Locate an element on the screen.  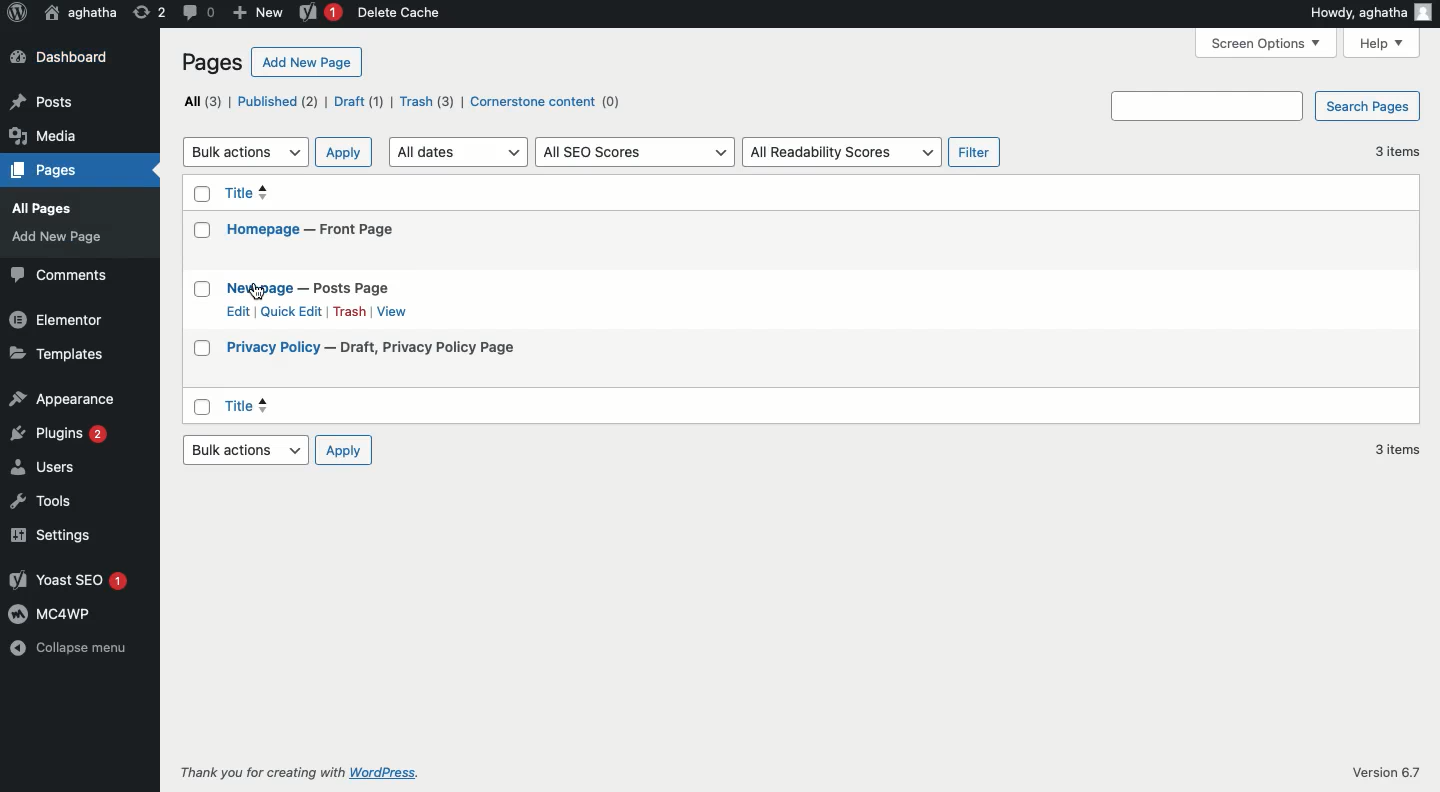
View is located at coordinates (395, 312).